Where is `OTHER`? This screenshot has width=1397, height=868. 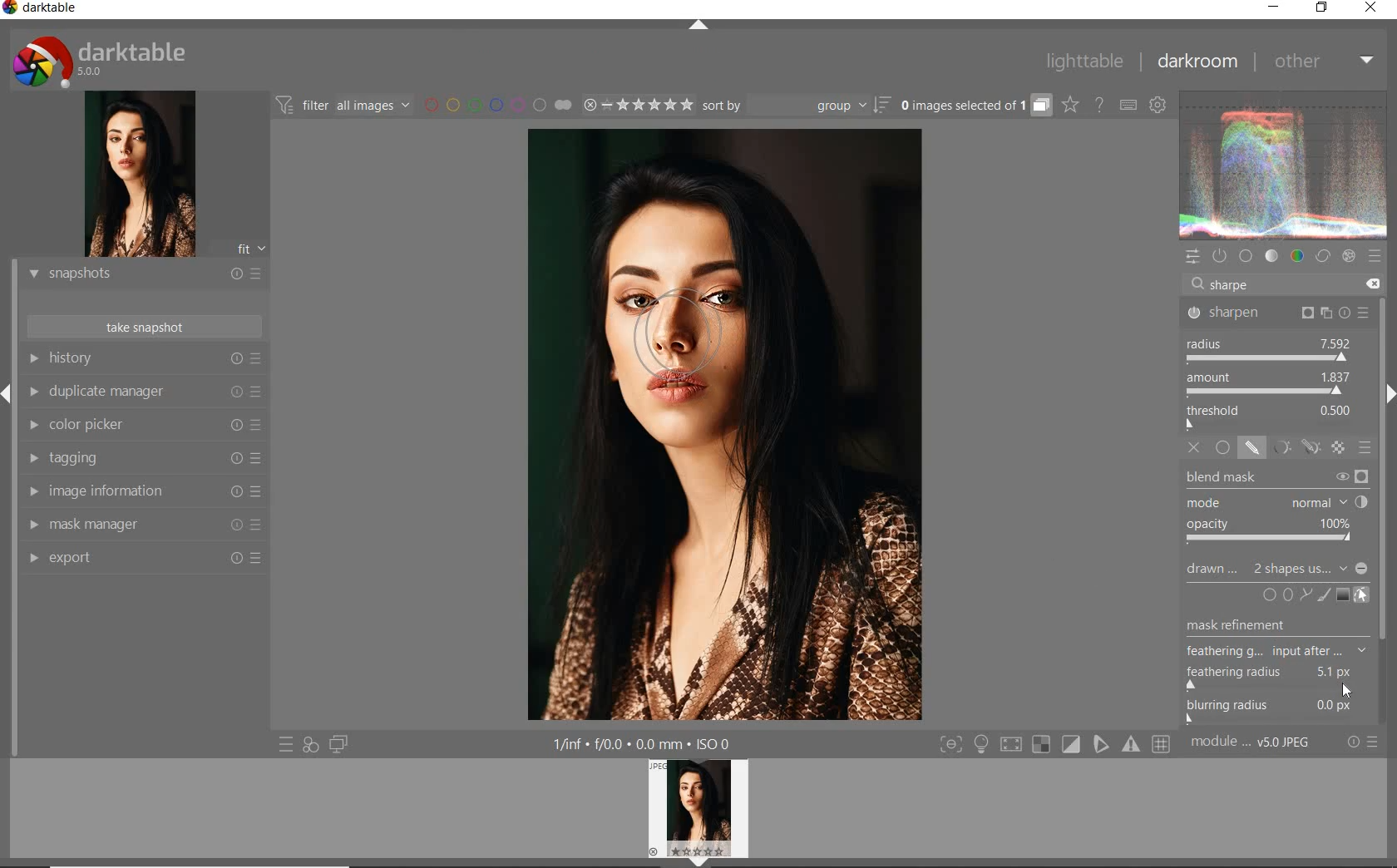
OTHER is located at coordinates (1322, 62).